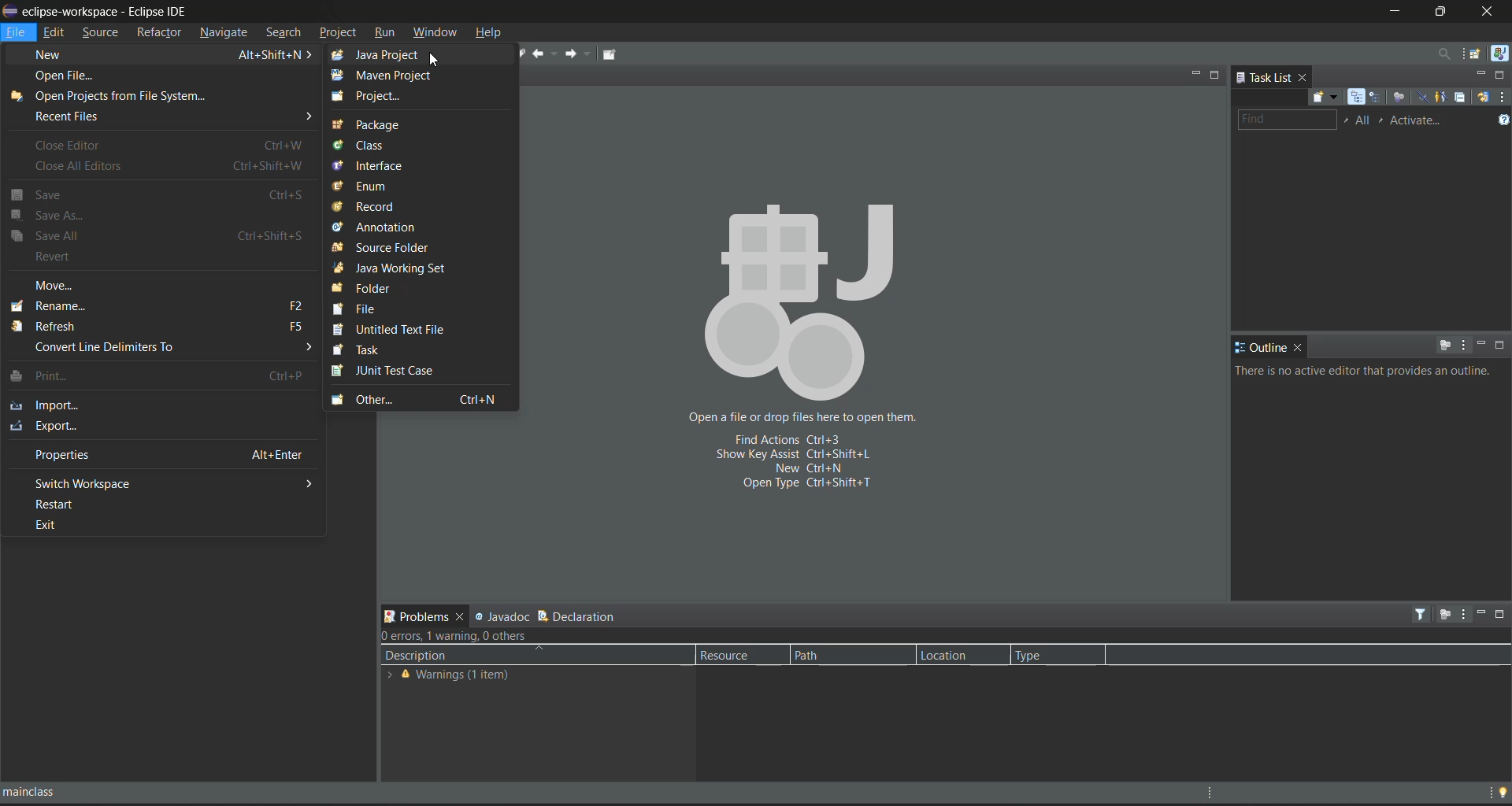  What do you see at coordinates (159, 32) in the screenshot?
I see `refractor` at bounding box center [159, 32].